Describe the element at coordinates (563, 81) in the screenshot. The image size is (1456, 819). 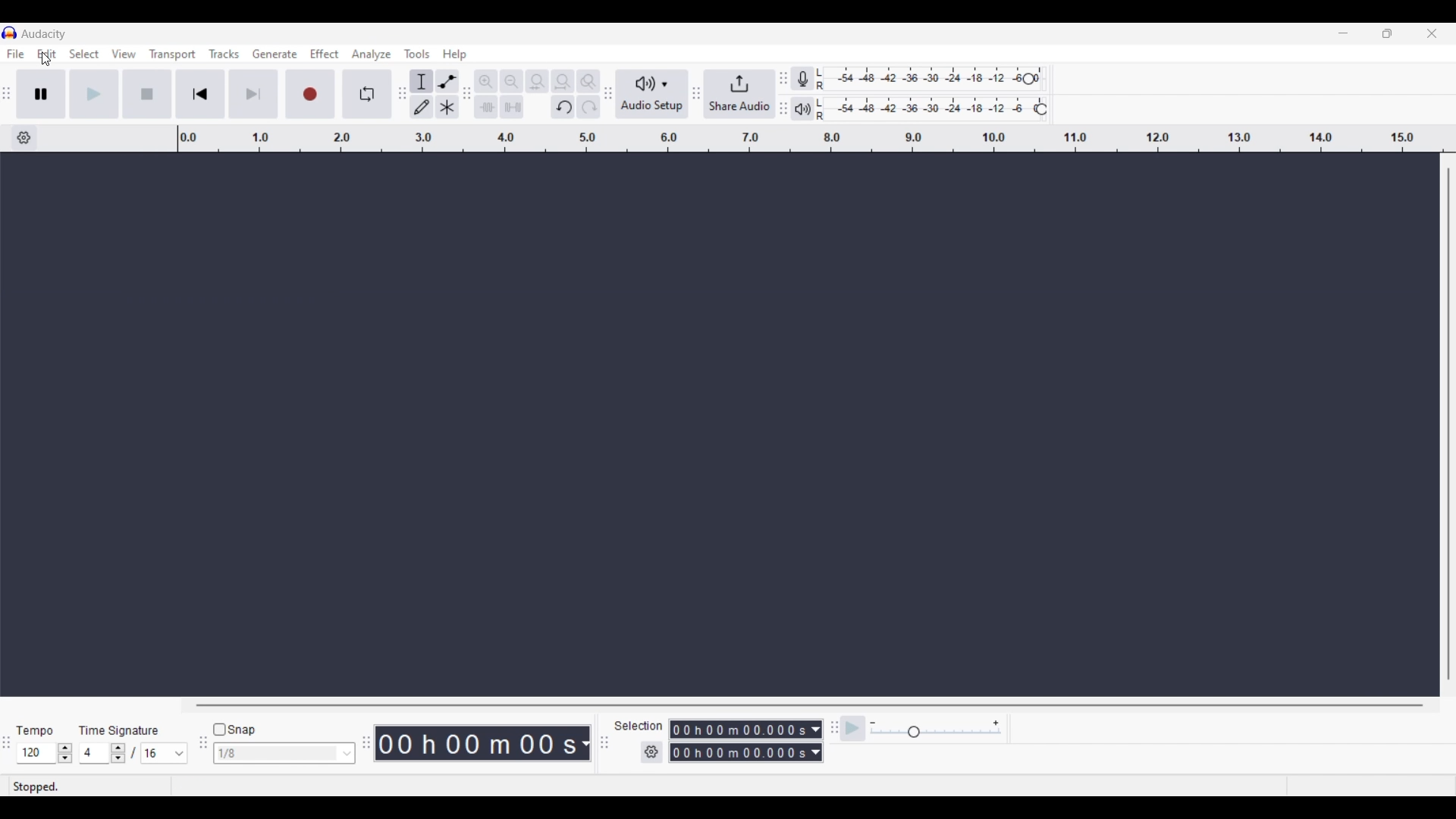
I see `Fit project to width` at that location.